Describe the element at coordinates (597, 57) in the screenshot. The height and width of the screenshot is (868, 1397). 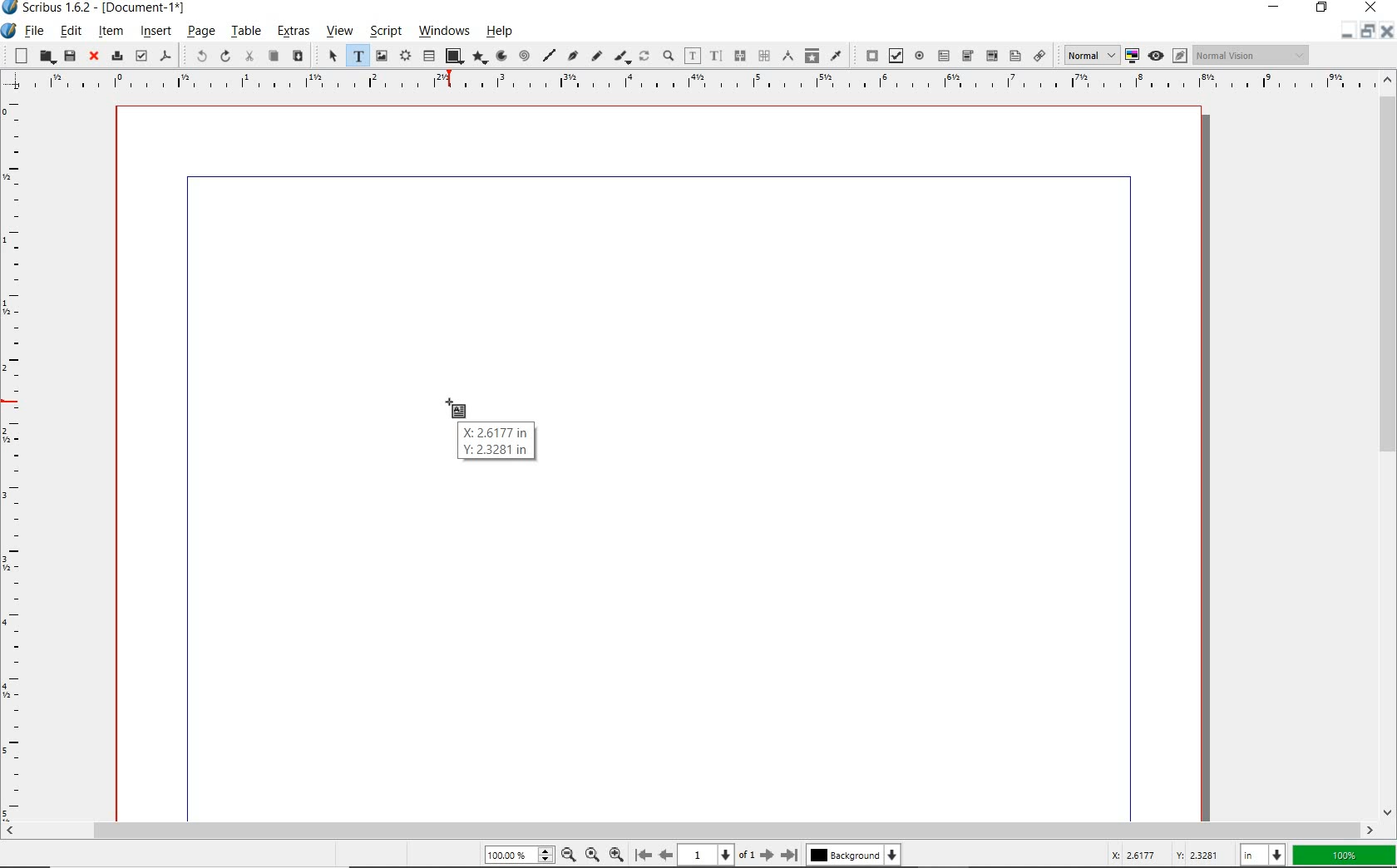
I see `freehand line` at that location.